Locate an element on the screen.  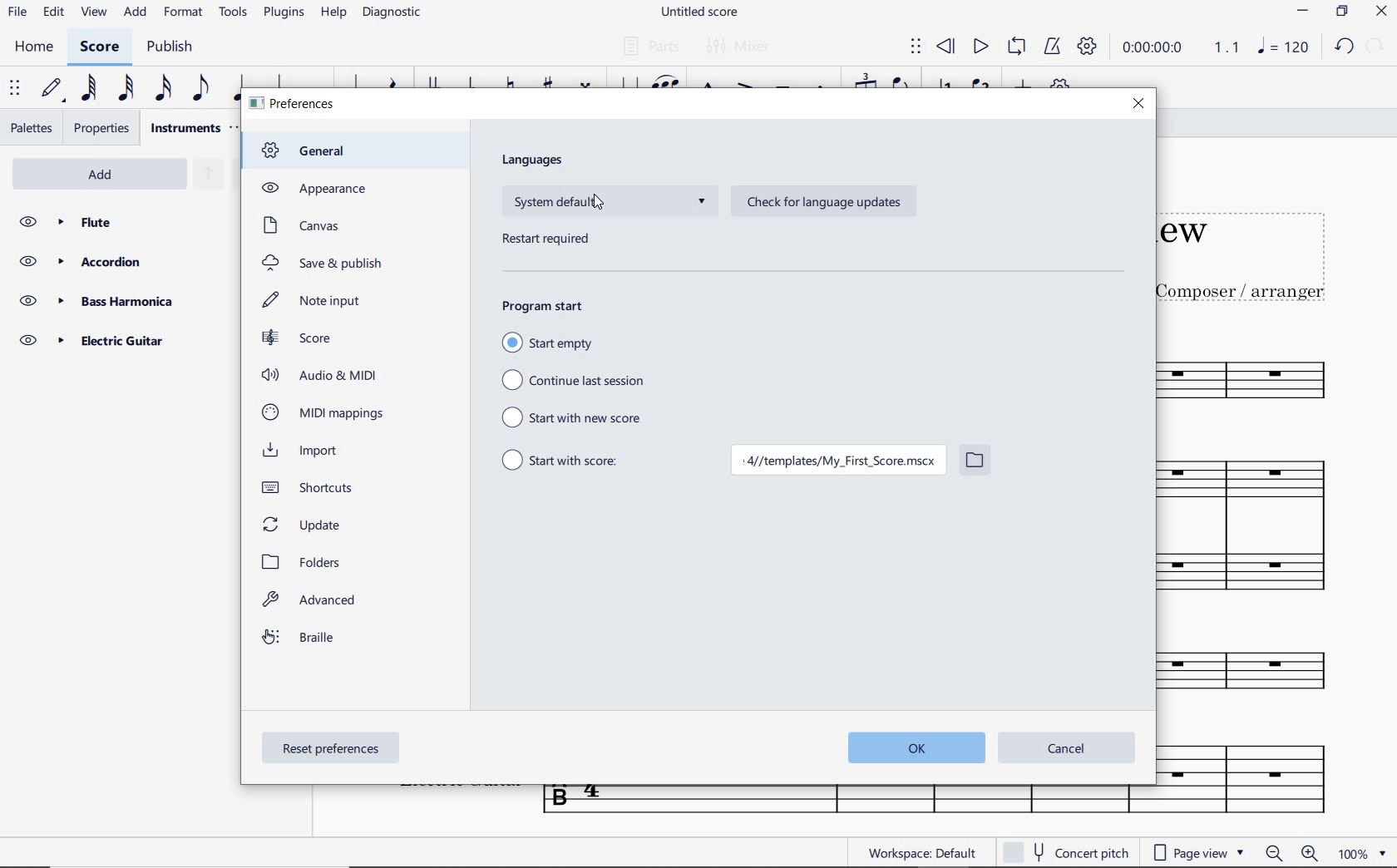
Instrument: Electric guitar is located at coordinates (844, 801).